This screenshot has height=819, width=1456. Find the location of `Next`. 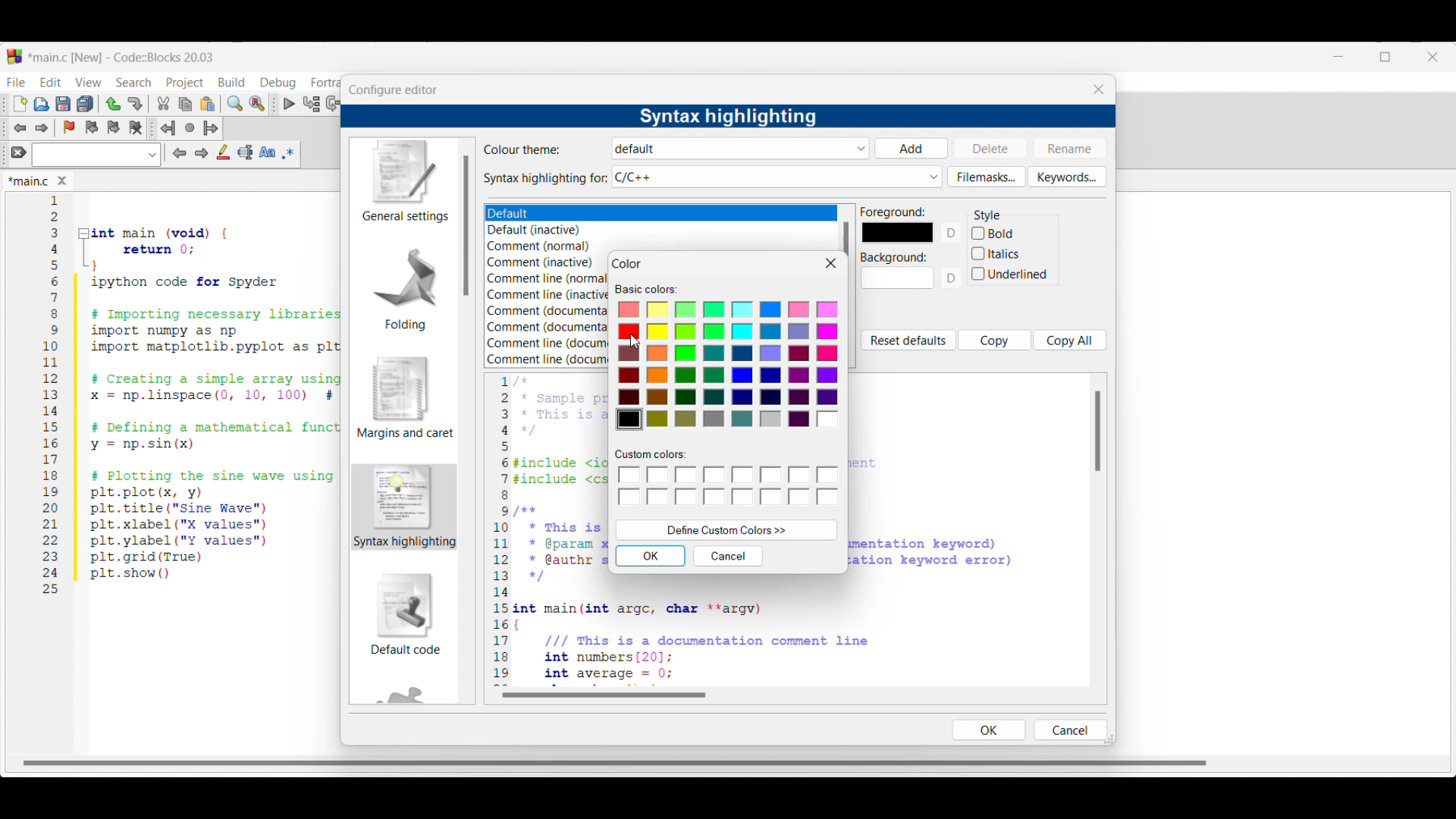

Next is located at coordinates (201, 152).